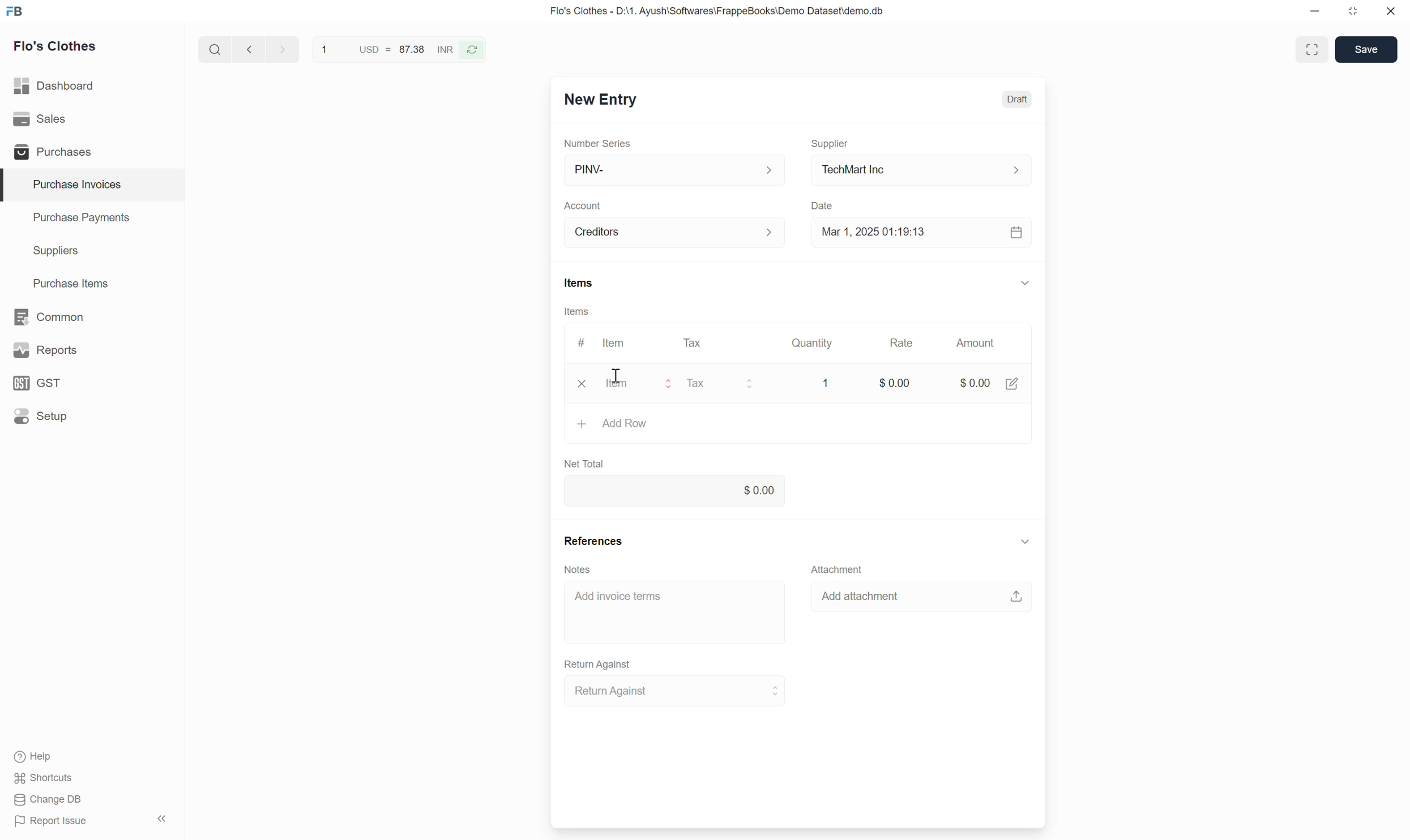  Describe the element at coordinates (586, 202) in the screenshot. I see `Account` at that location.